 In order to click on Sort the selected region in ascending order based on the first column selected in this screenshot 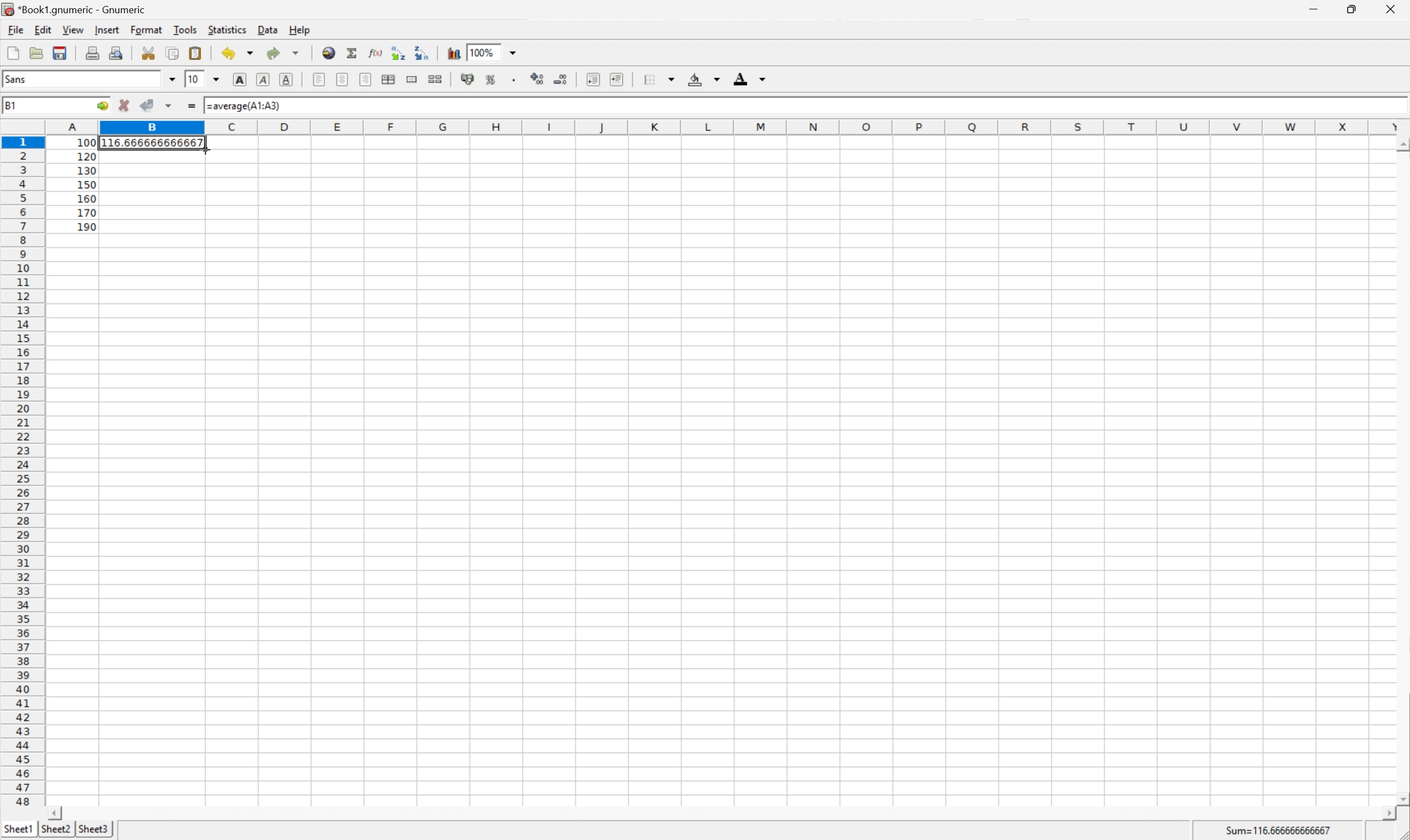, I will do `click(399, 53)`.